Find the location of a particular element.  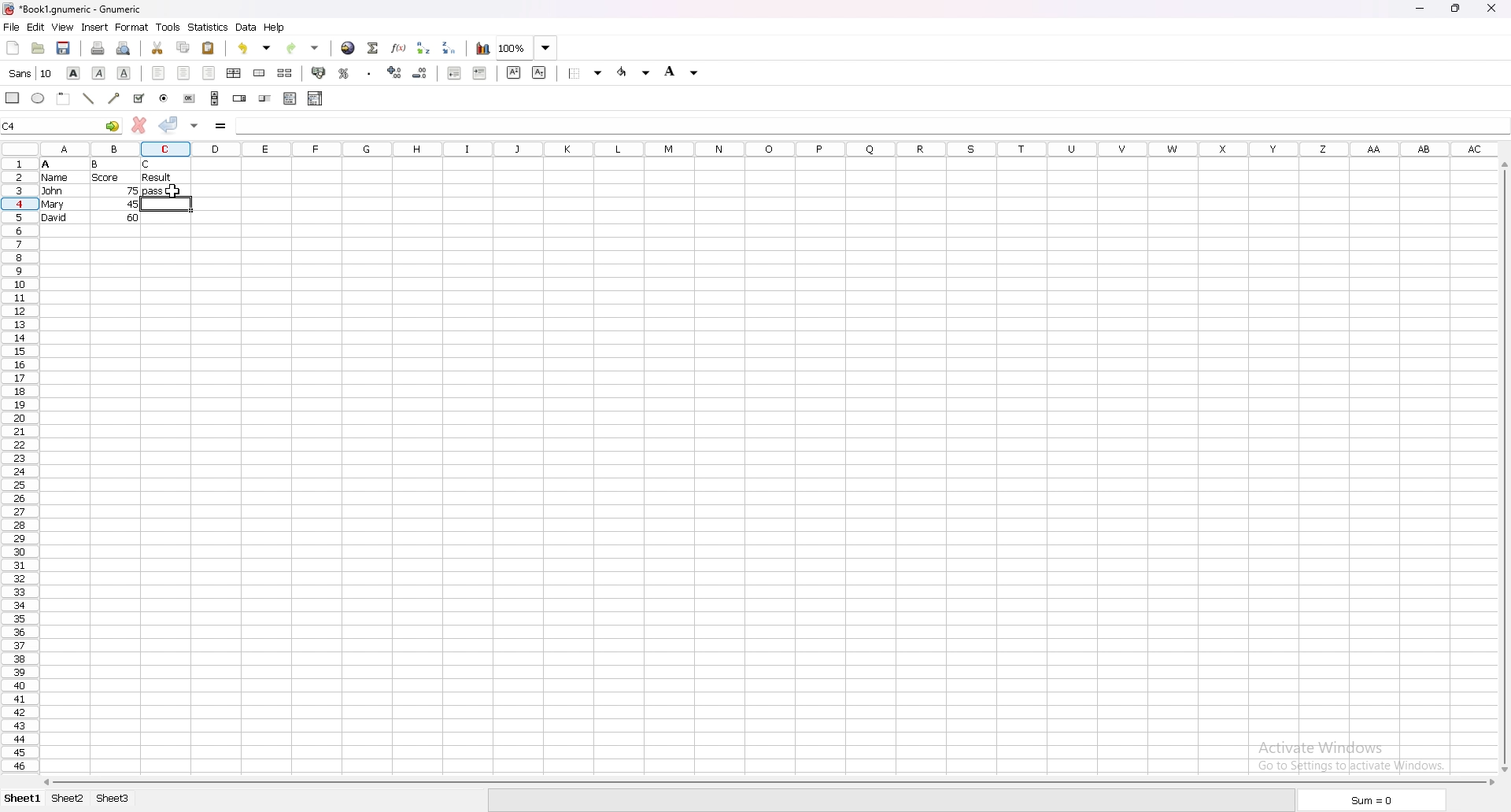

selected cell is located at coordinates (61, 126).